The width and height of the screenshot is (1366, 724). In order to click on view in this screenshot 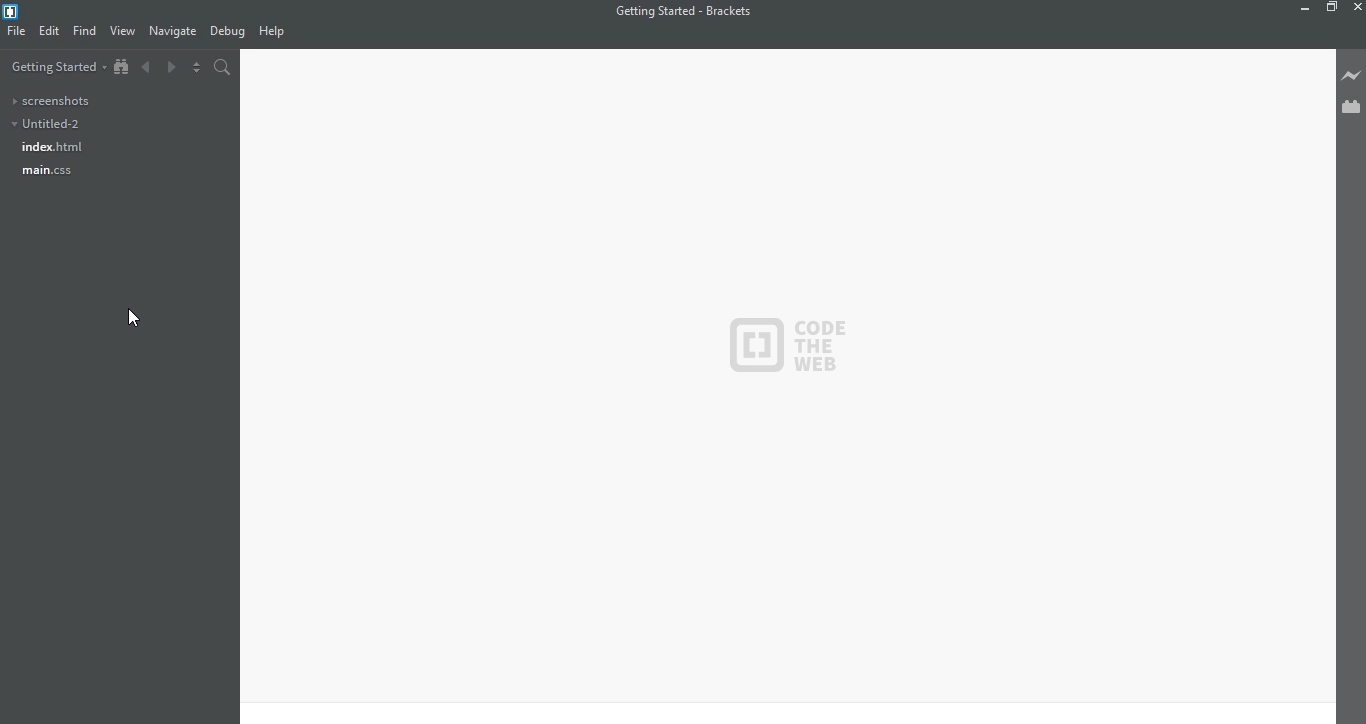, I will do `click(123, 31)`.